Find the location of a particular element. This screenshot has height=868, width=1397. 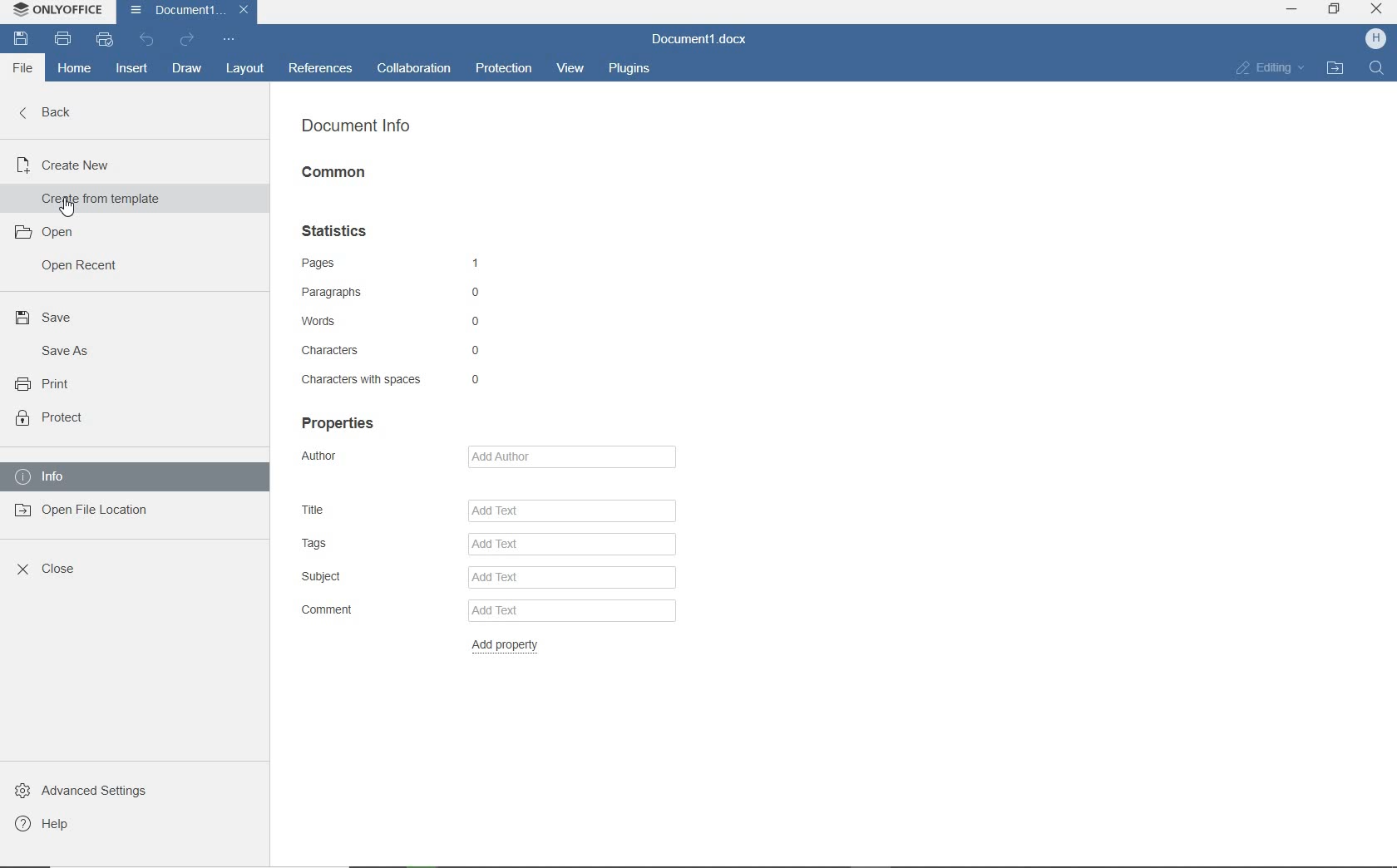

minimize is located at coordinates (1292, 10).